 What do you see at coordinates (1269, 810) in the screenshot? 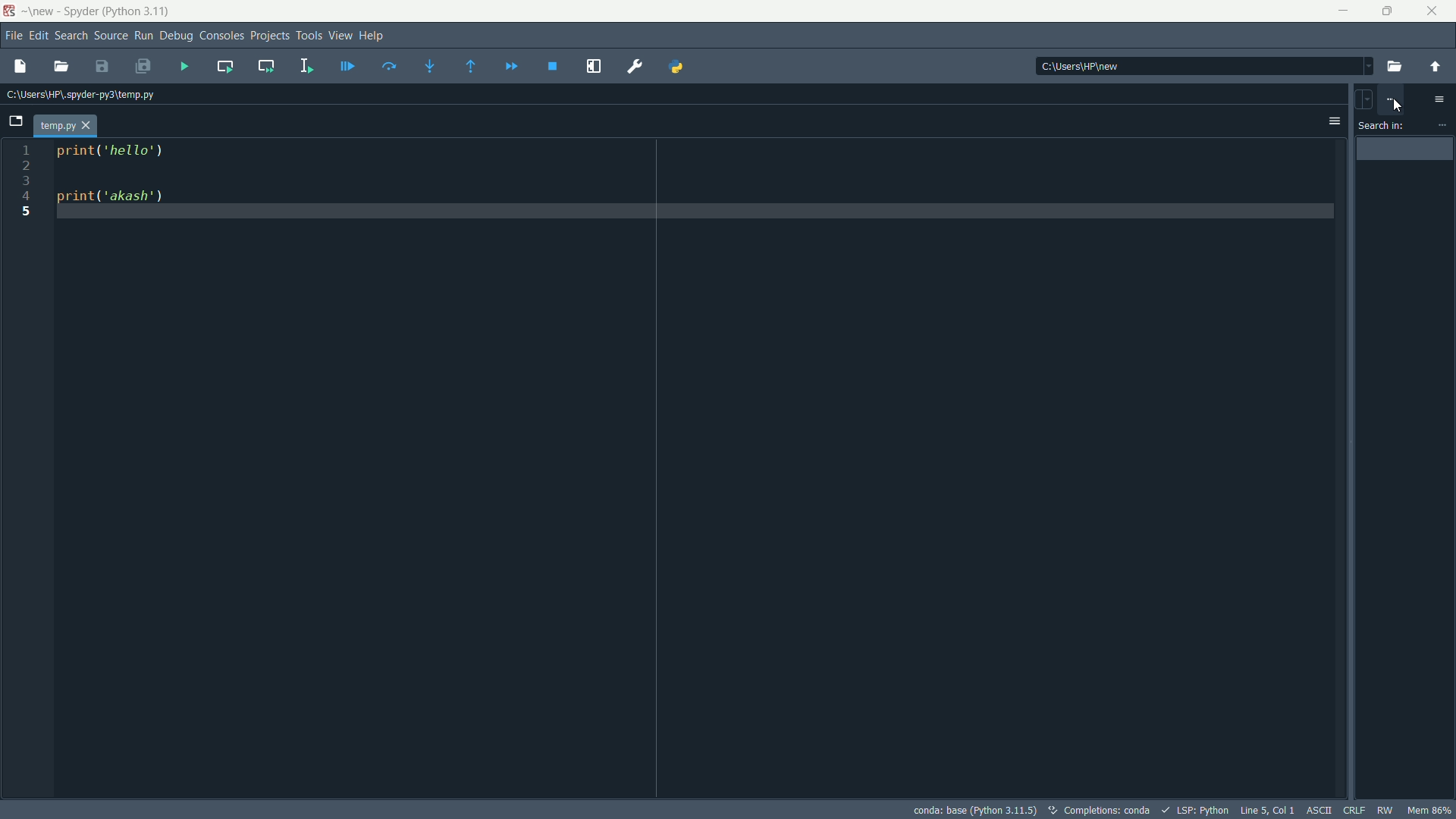
I see `line 5, col1` at bounding box center [1269, 810].